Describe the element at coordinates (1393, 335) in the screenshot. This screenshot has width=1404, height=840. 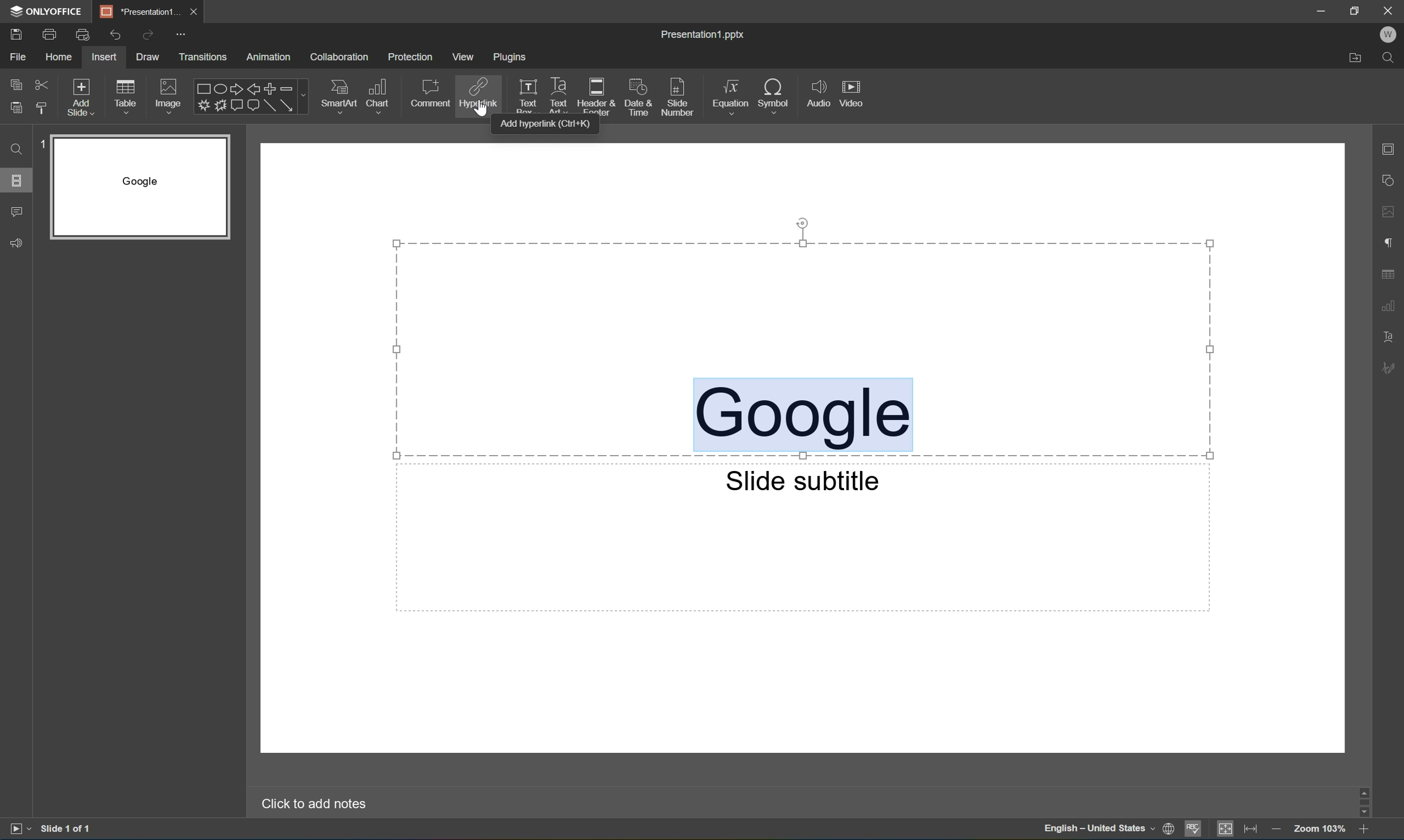
I see `Text art settings` at that location.